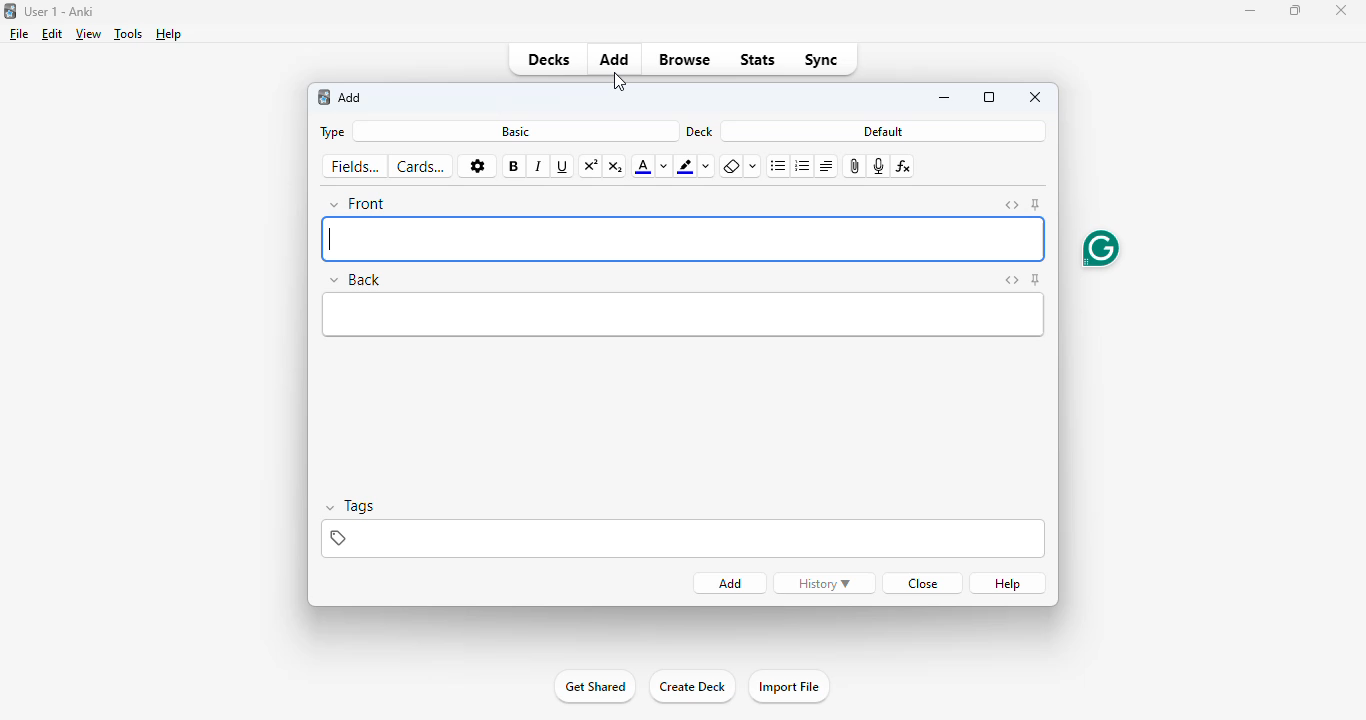 This screenshot has height=720, width=1366. What do you see at coordinates (905, 166) in the screenshot?
I see `equations` at bounding box center [905, 166].